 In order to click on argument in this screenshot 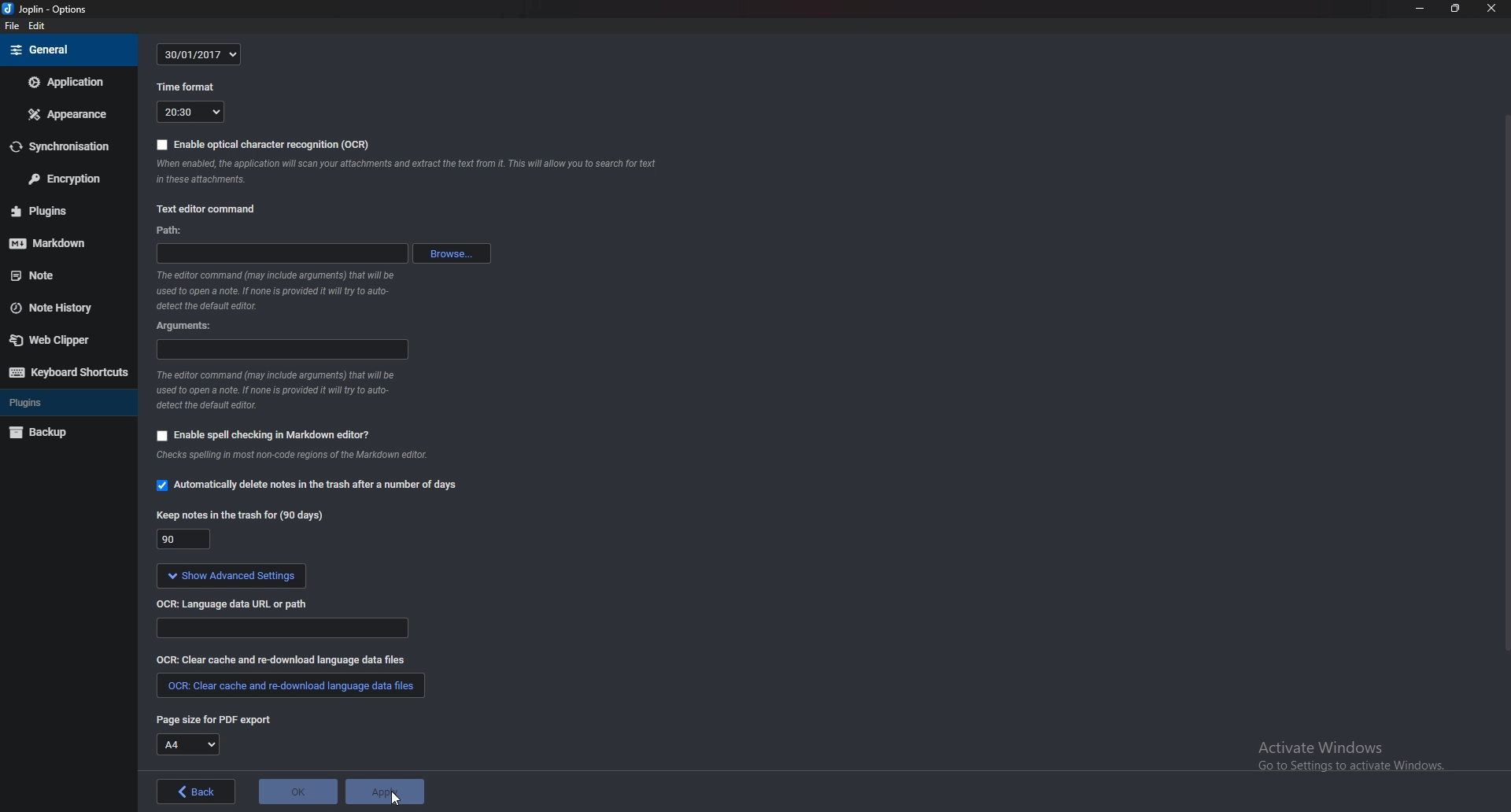, I will do `click(282, 350)`.